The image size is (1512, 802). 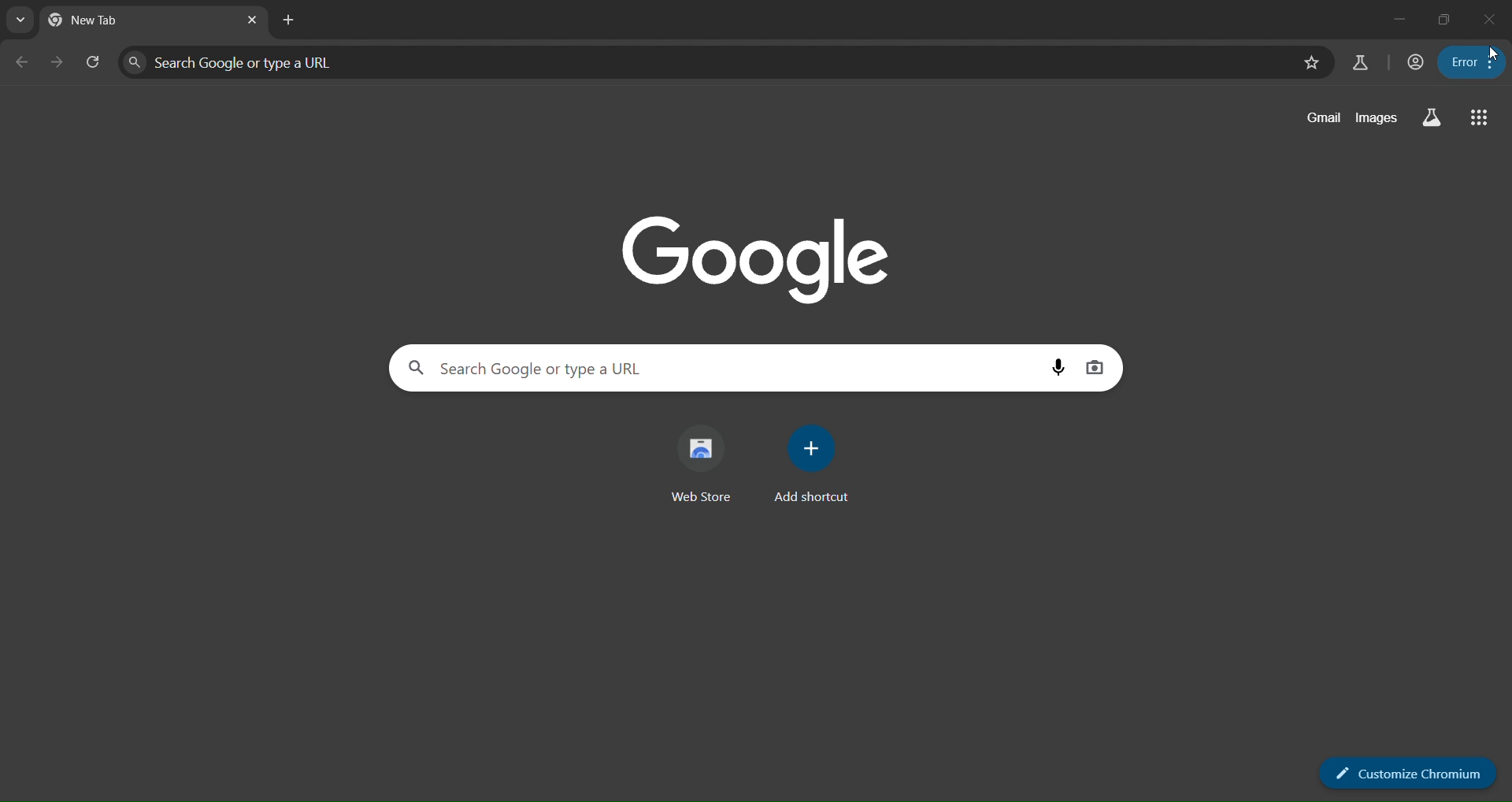 I want to click on bookmark page, so click(x=1313, y=64).